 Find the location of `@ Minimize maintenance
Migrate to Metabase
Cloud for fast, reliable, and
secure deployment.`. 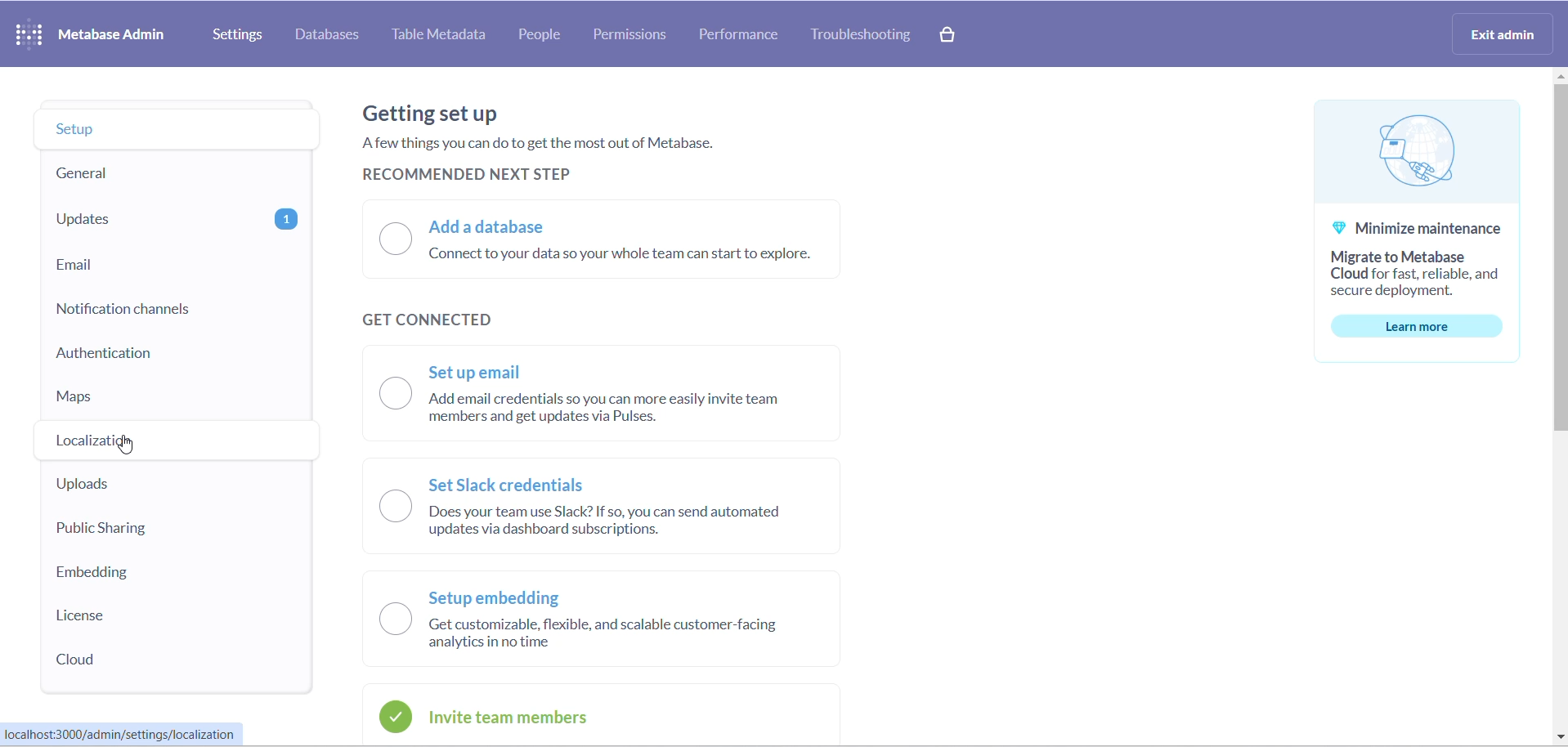

@ Minimize maintenance
Migrate to Metabase
Cloud for fast, reliable, and
secure deployment. is located at coordinates (1411, 260).